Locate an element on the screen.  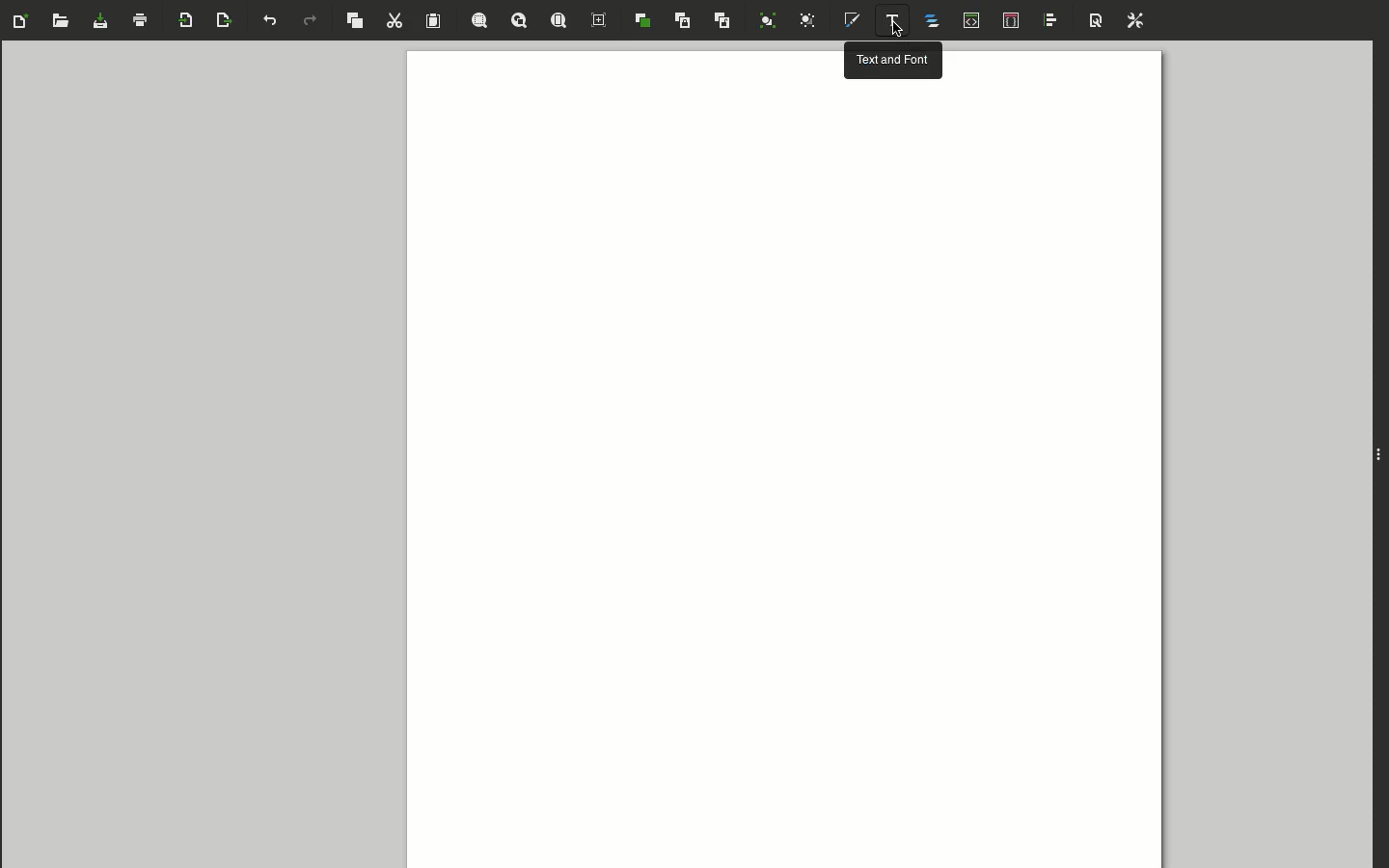
Text selected is located at coordinates (891, 20).